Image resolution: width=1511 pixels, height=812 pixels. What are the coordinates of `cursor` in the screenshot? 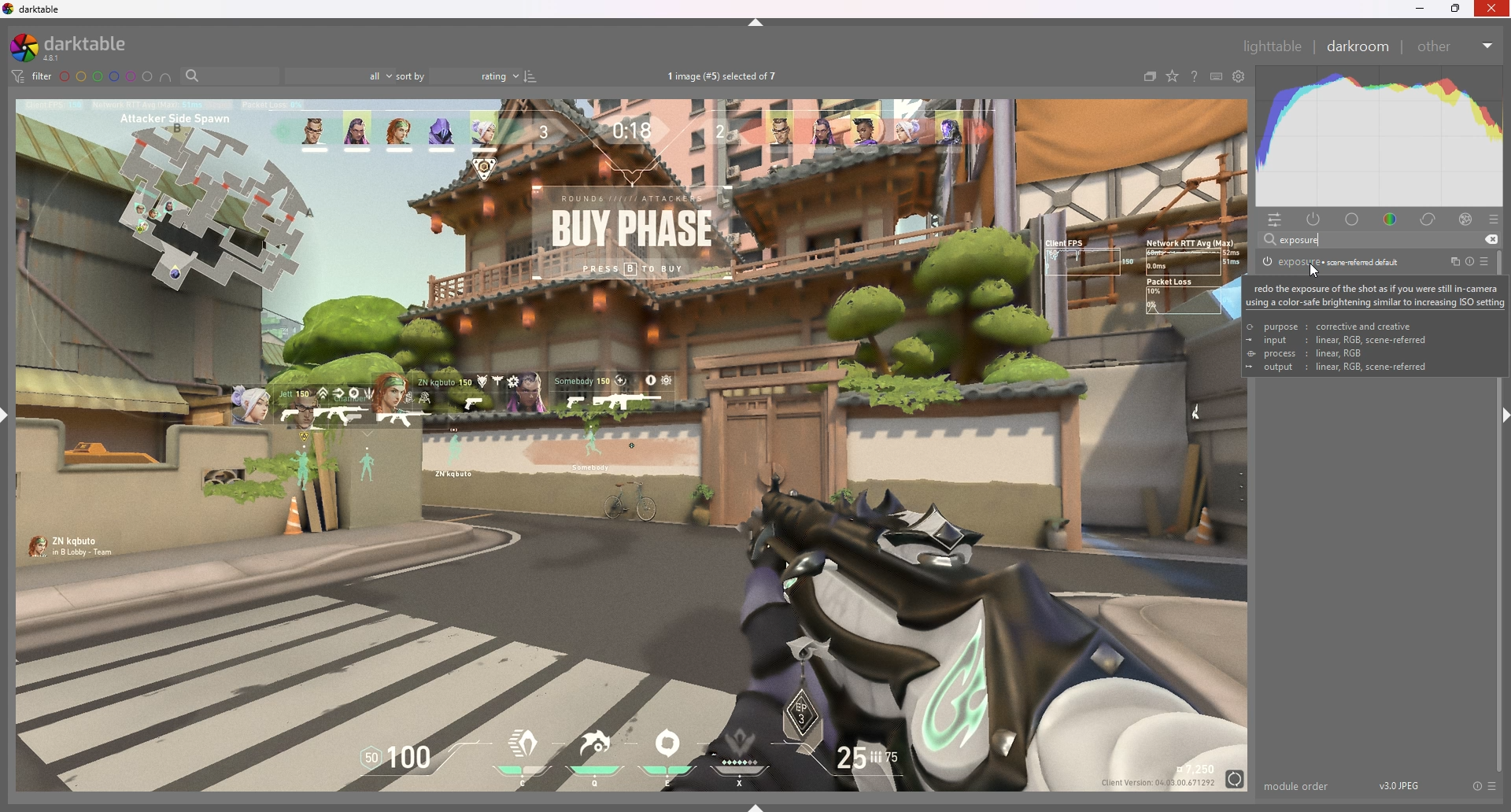 It's located at (1320, 275).